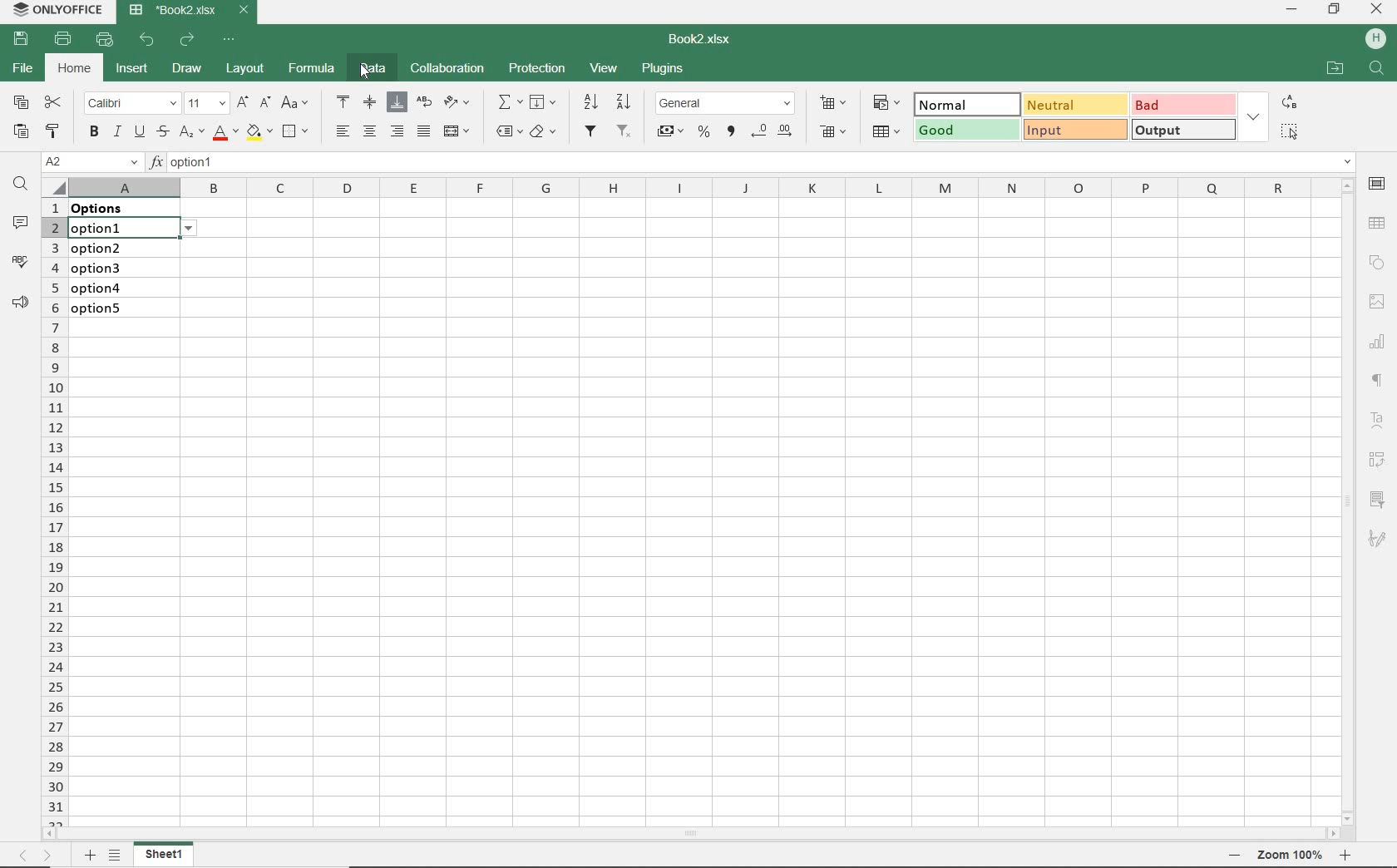 The width and height of the screenshot is (1397, 868). Describe the element at coordinates (627, 132) in the screenshot. I see `REMOVE FILTER` at that location.